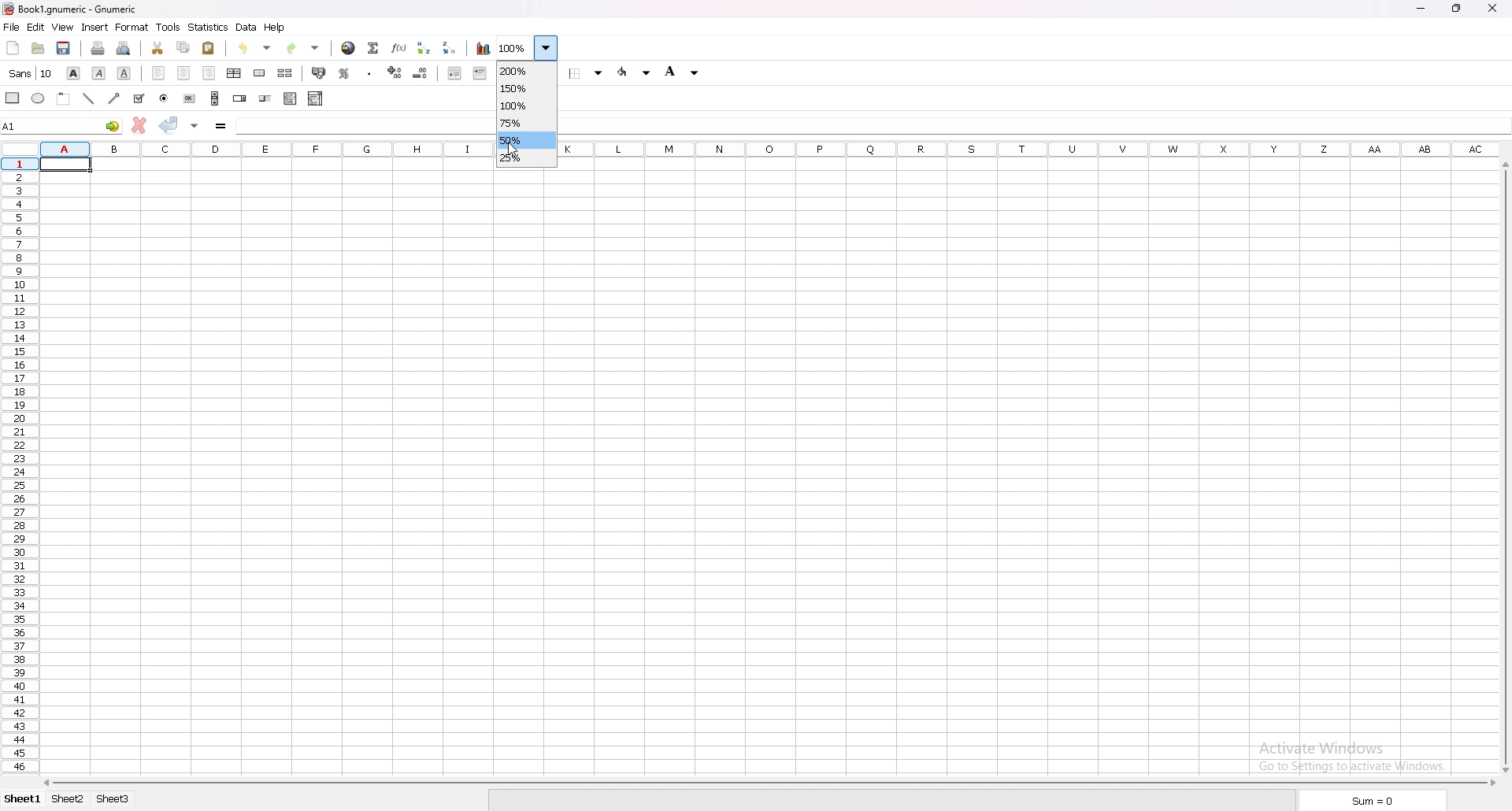 The height and width of the screenshot is (811, 1512). Describe the element at coordinates (68, 166) in the screenshot. I see `selected cell` at that location.